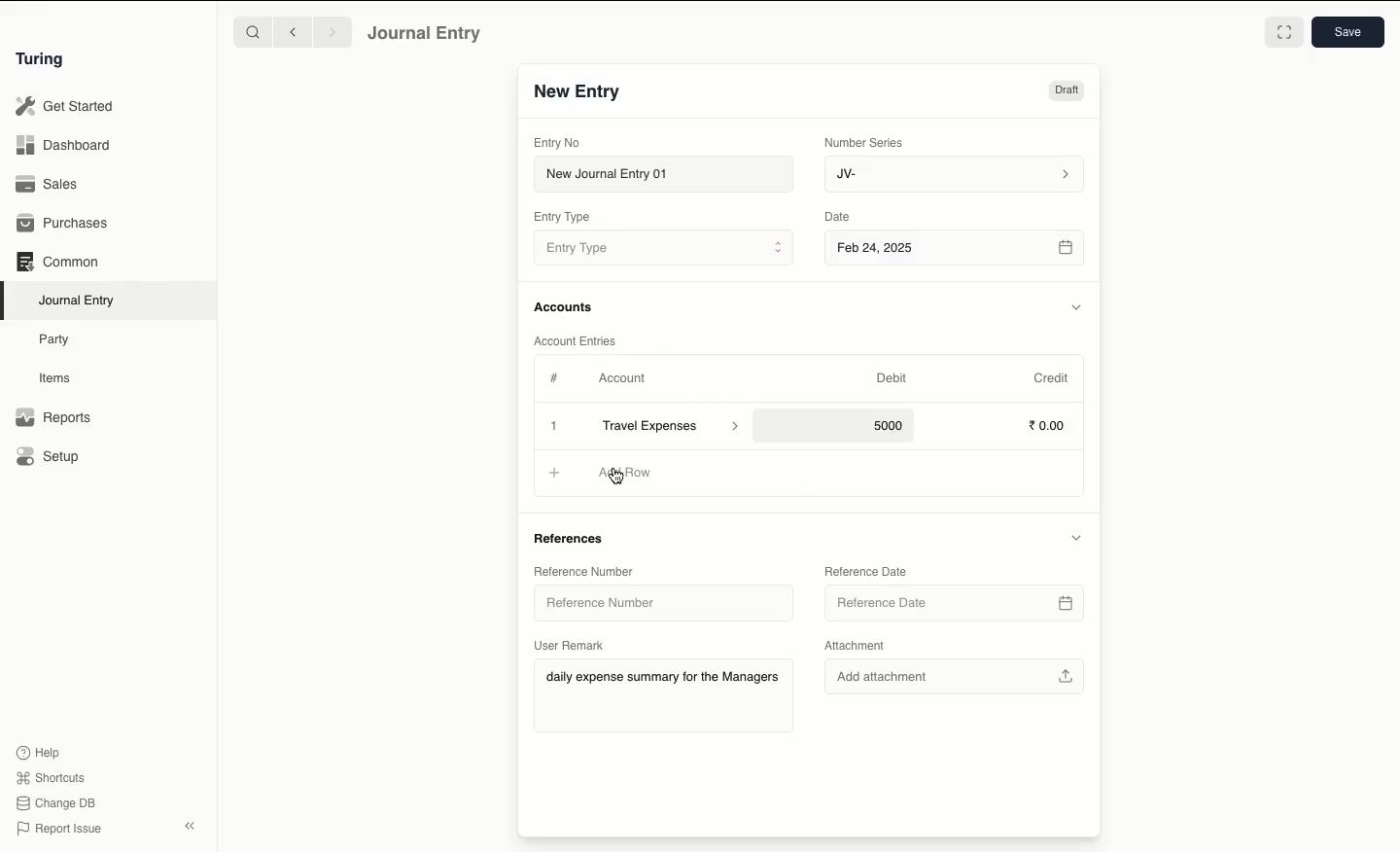 The height and width of the screenshot is (852, 1400). I want to click on Entry Type, so click(663, 247).